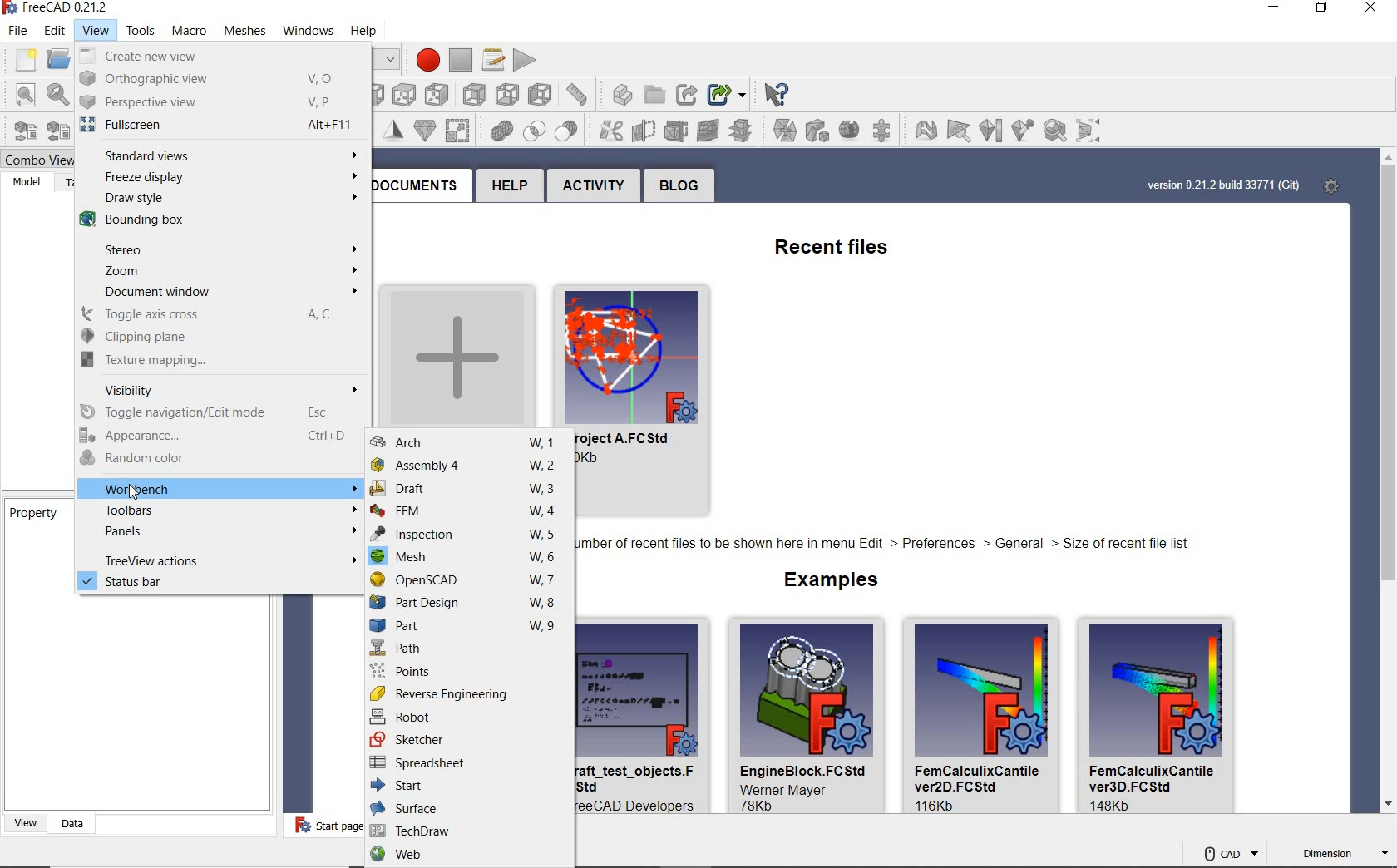  I want to click on surface, so click(466, 808).